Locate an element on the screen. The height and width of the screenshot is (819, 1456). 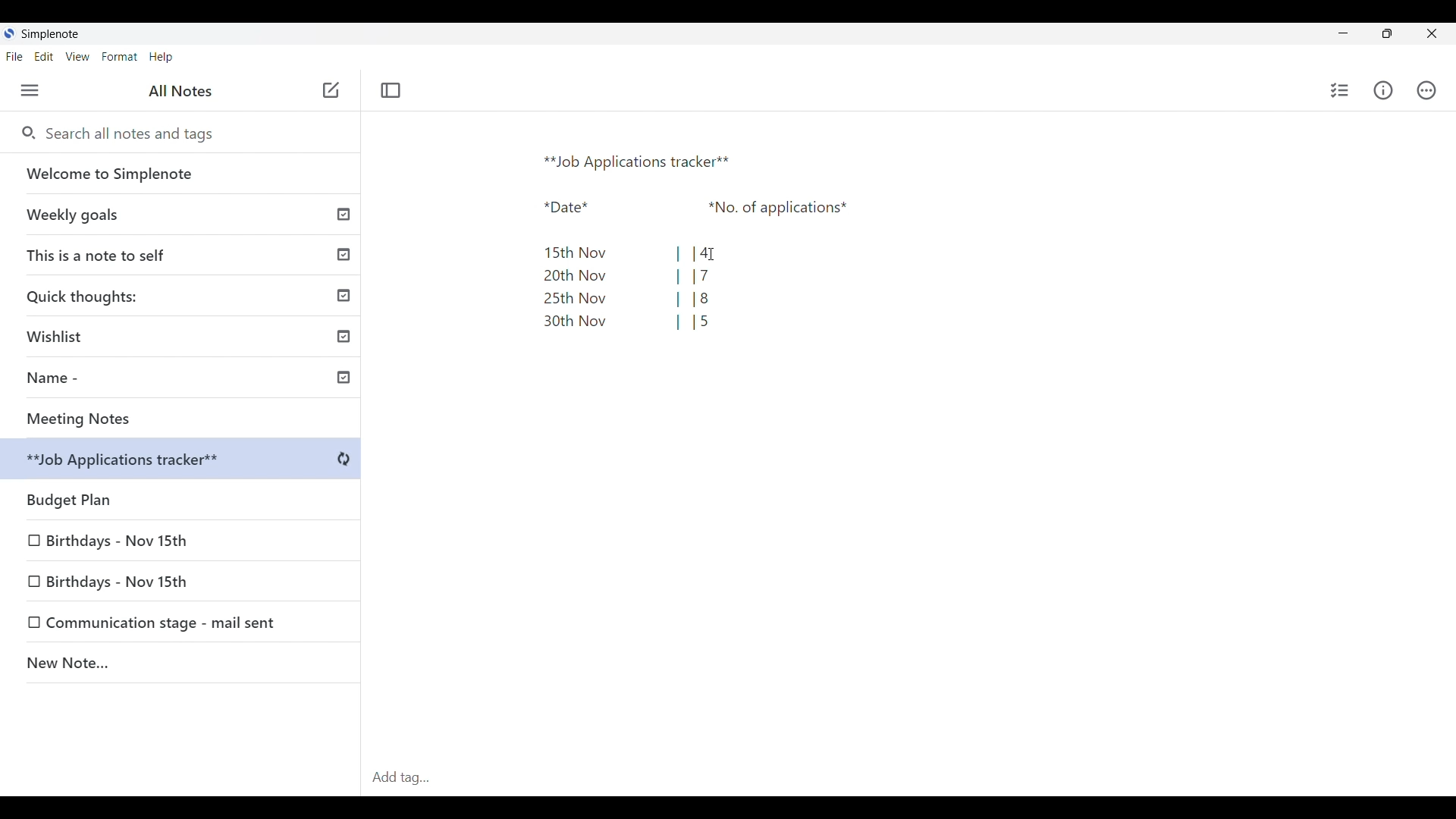
This is a note to self is located at coordinates (183, 254).